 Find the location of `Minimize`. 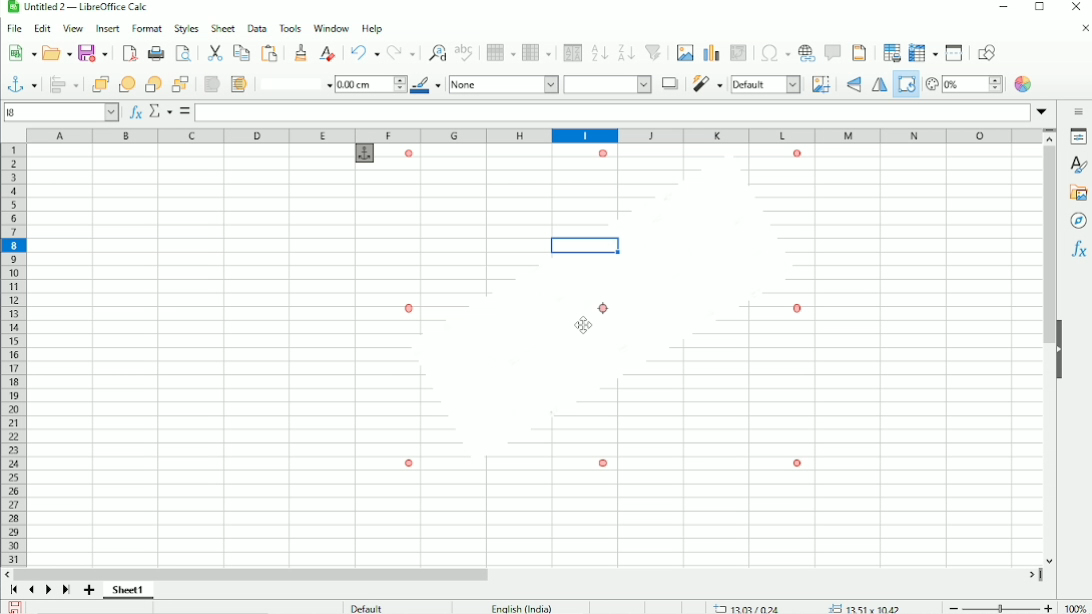

Minimize is located at coordinates (1001, 6).